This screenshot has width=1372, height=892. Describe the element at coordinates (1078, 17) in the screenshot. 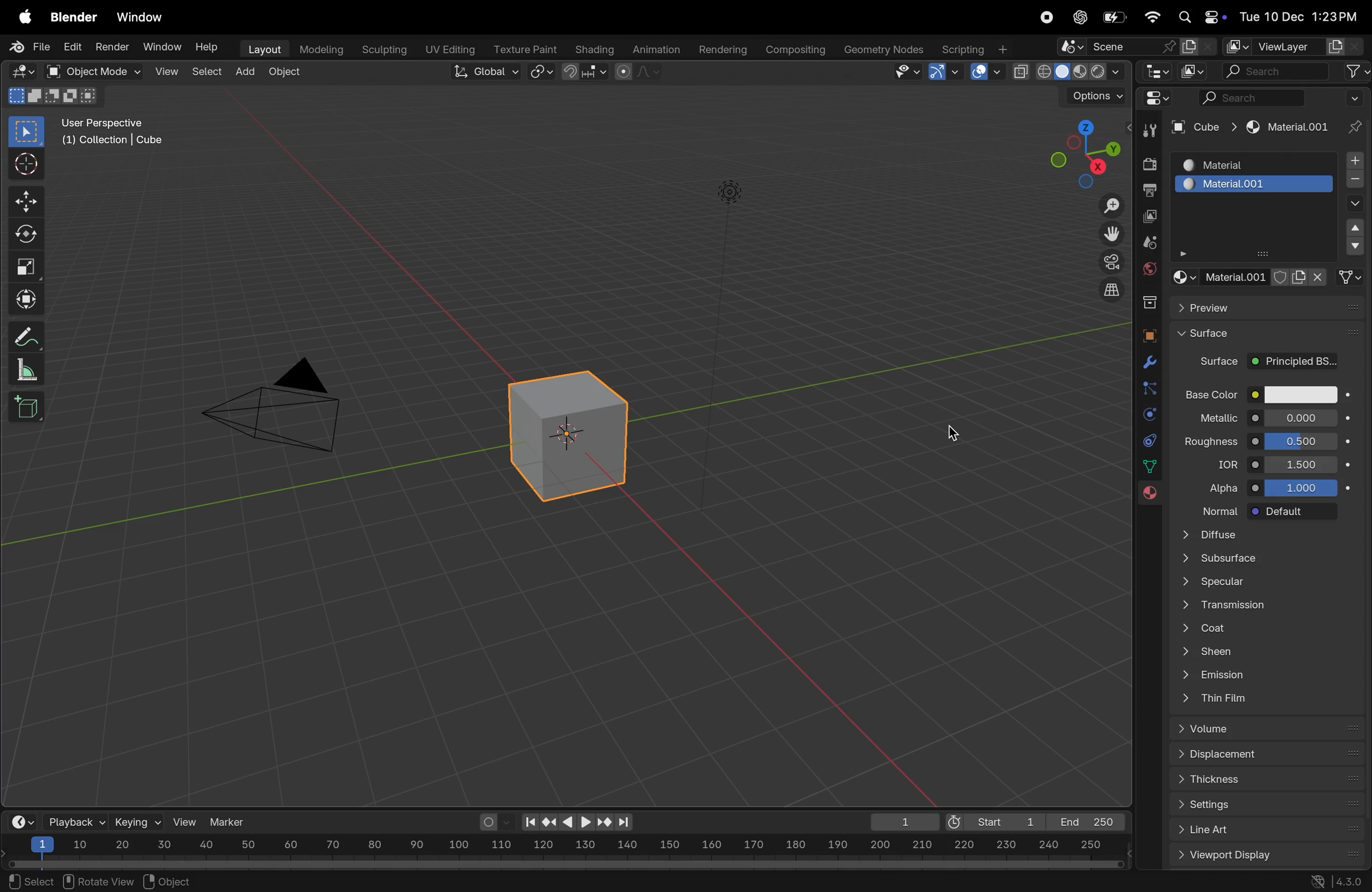

I see `chatgpt` at that location.